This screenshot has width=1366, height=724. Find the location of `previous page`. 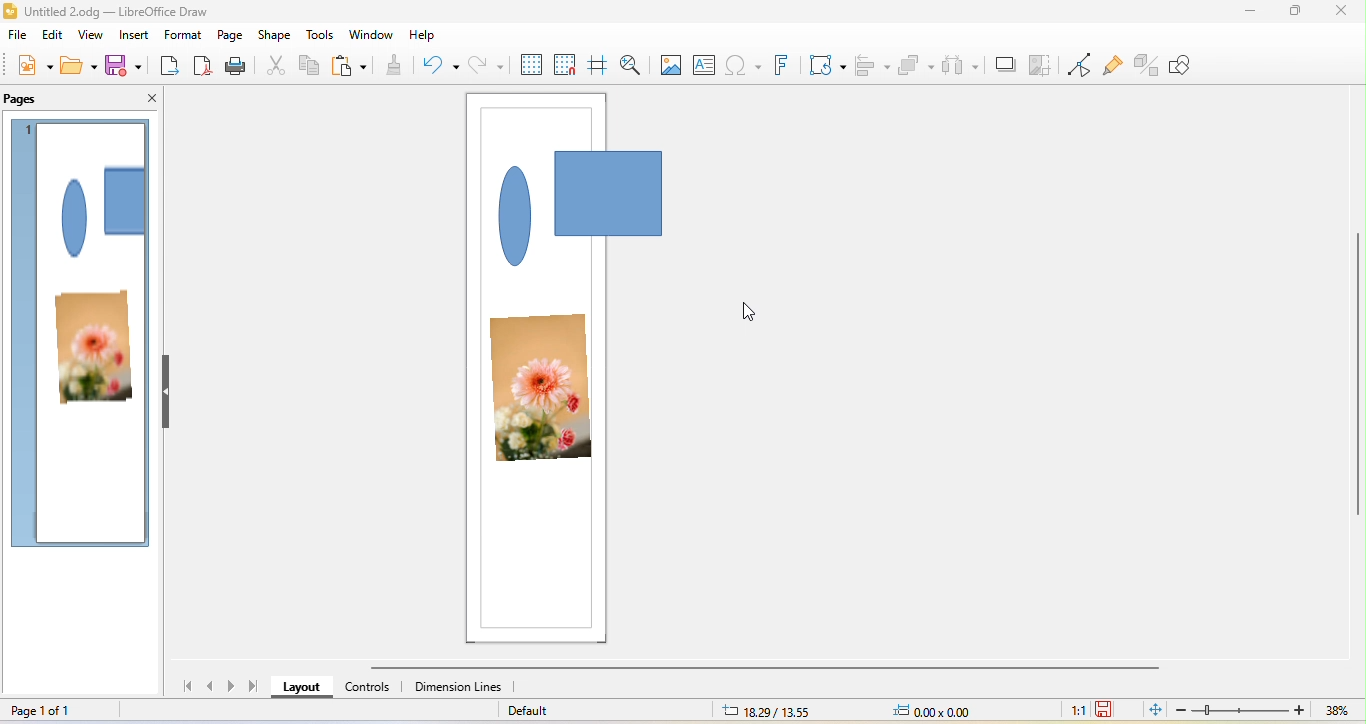

previous page is located at coordinates (214, 689).